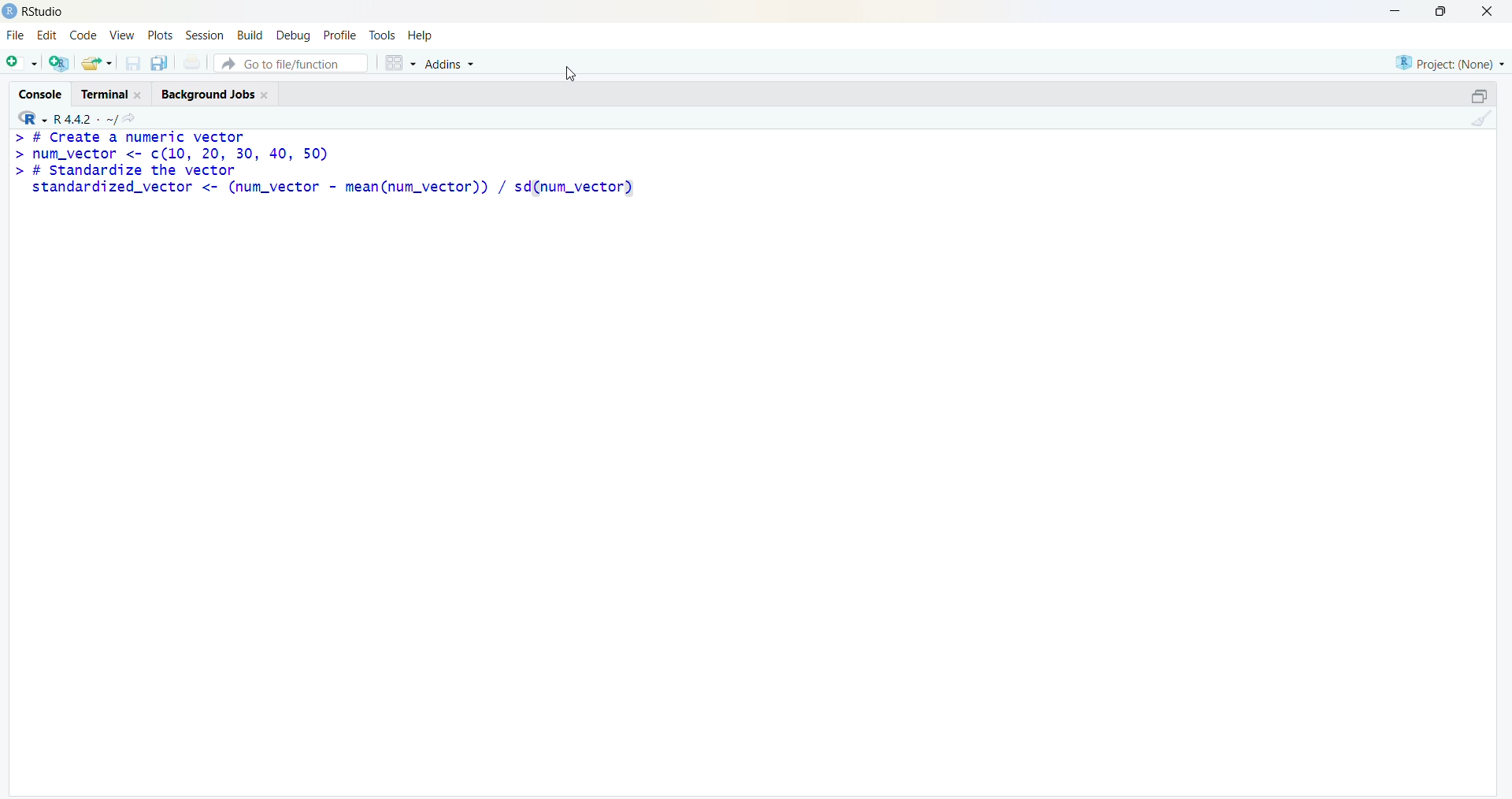  I want to click on addins, so click(450, 65).